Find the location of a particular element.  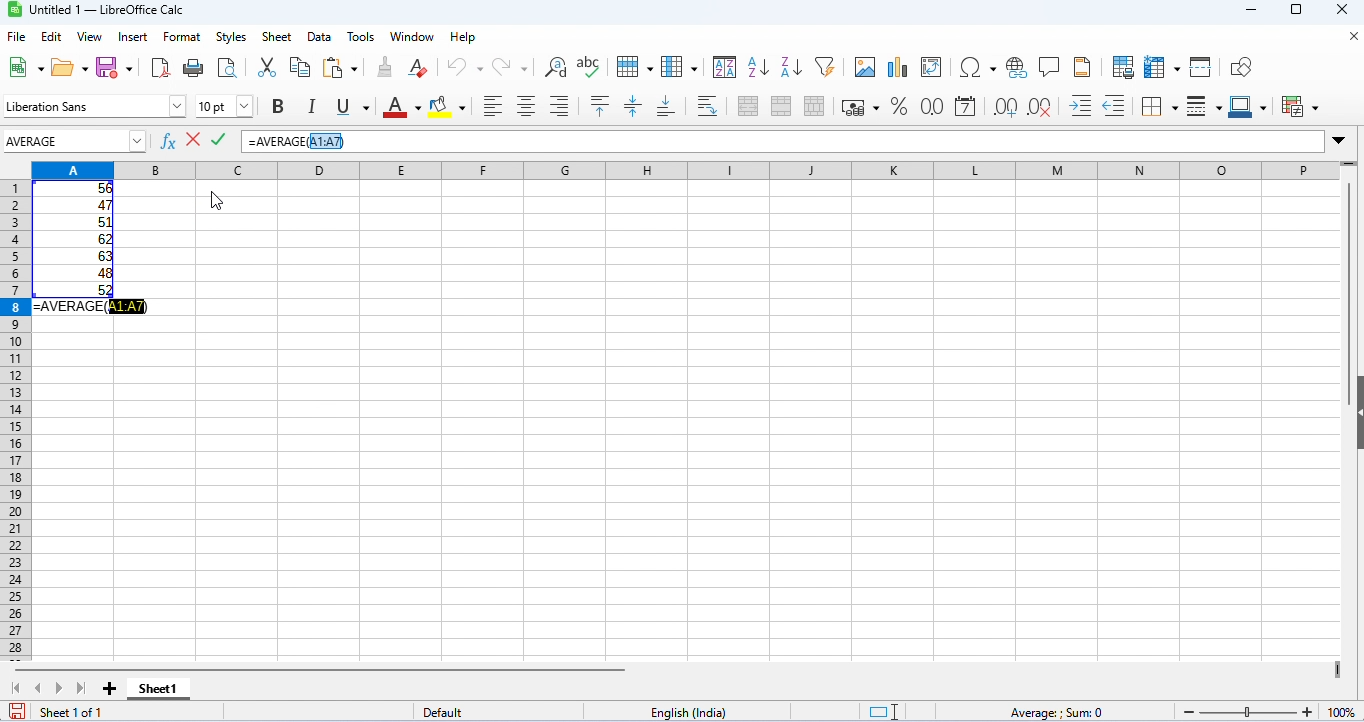

unmerge cells is located at coordinates (814, 106).